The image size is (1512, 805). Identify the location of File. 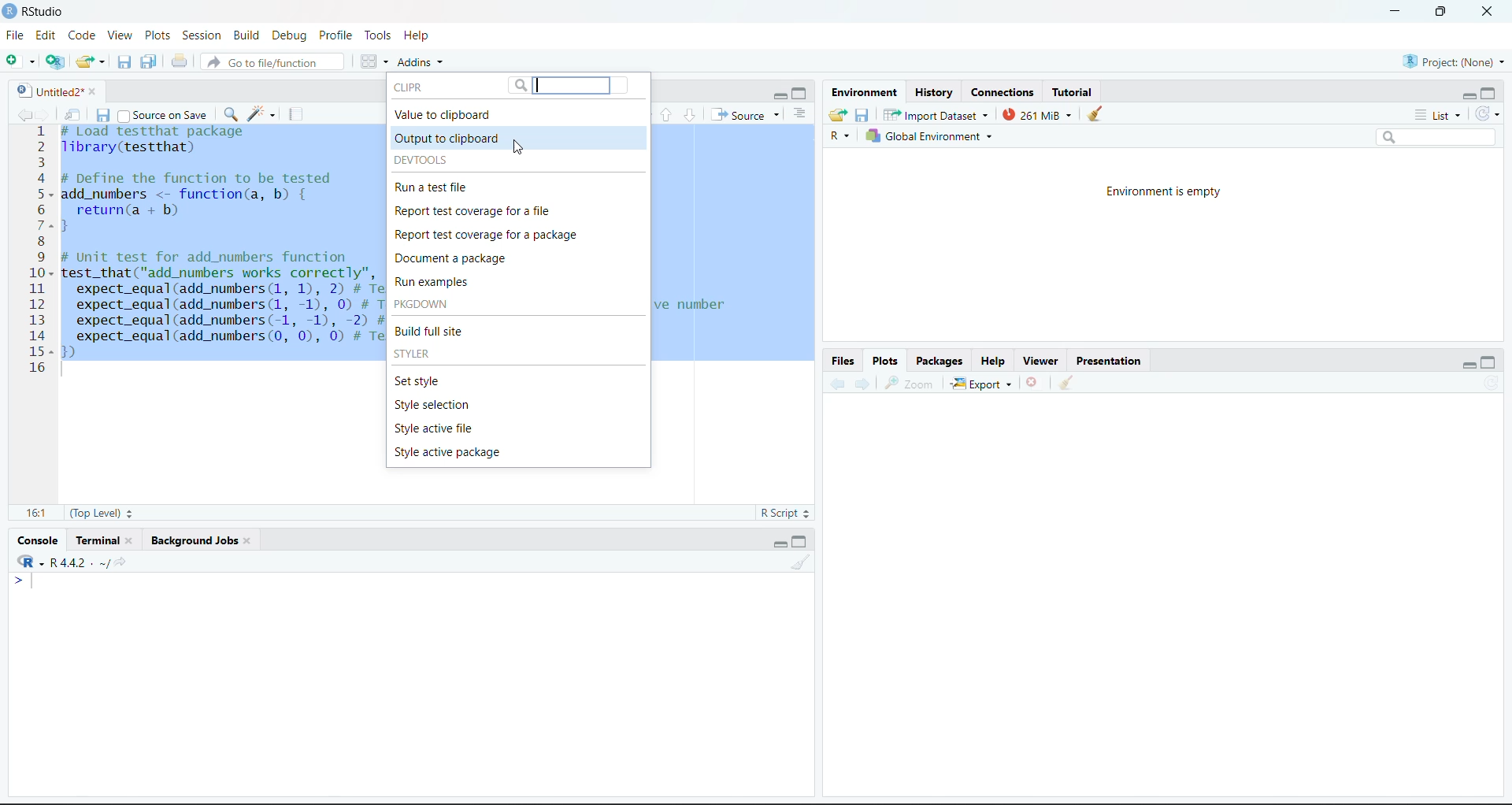
(14, 35).